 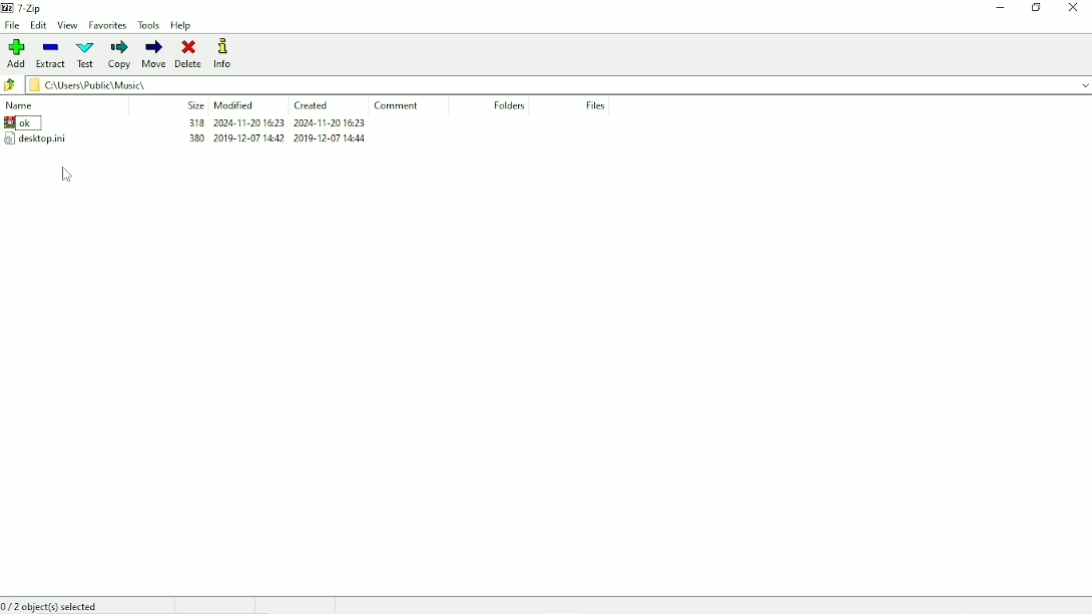 What do you see at coordinates (596, 107) in the screenshot?
I see `Files` at bounding box center [596, 107].